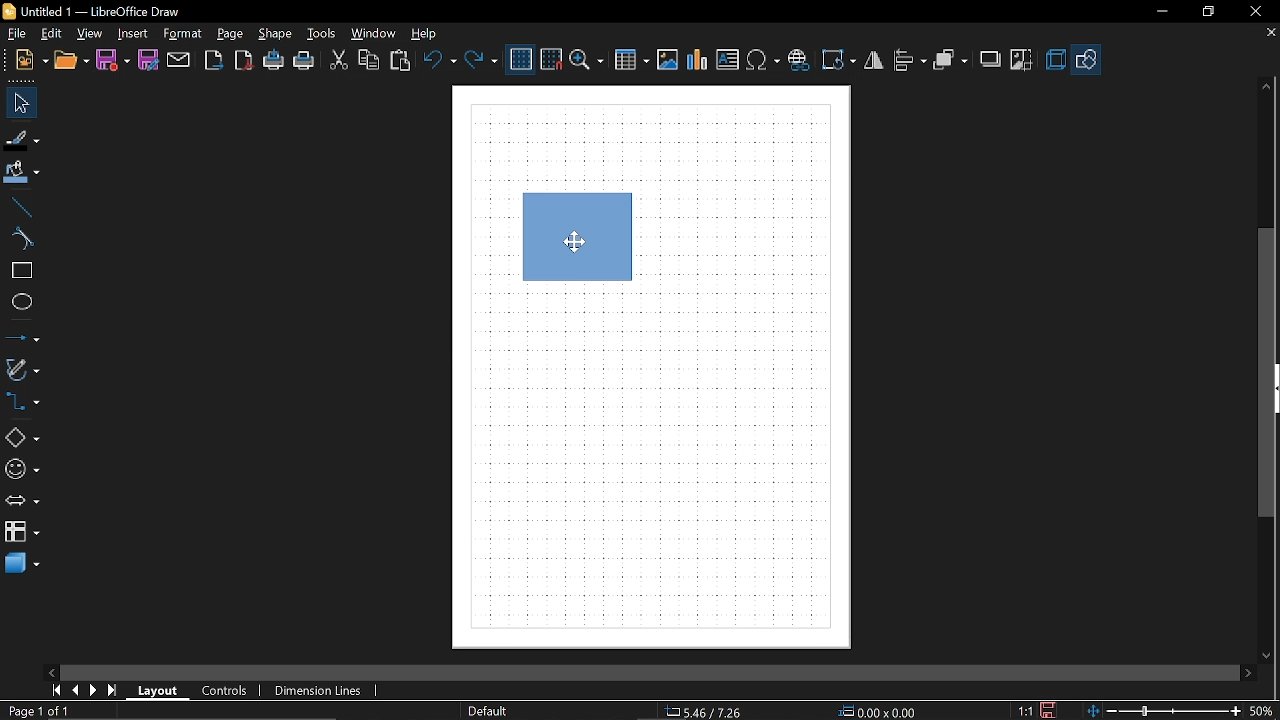  I want to click on Format, so click(182, 35).